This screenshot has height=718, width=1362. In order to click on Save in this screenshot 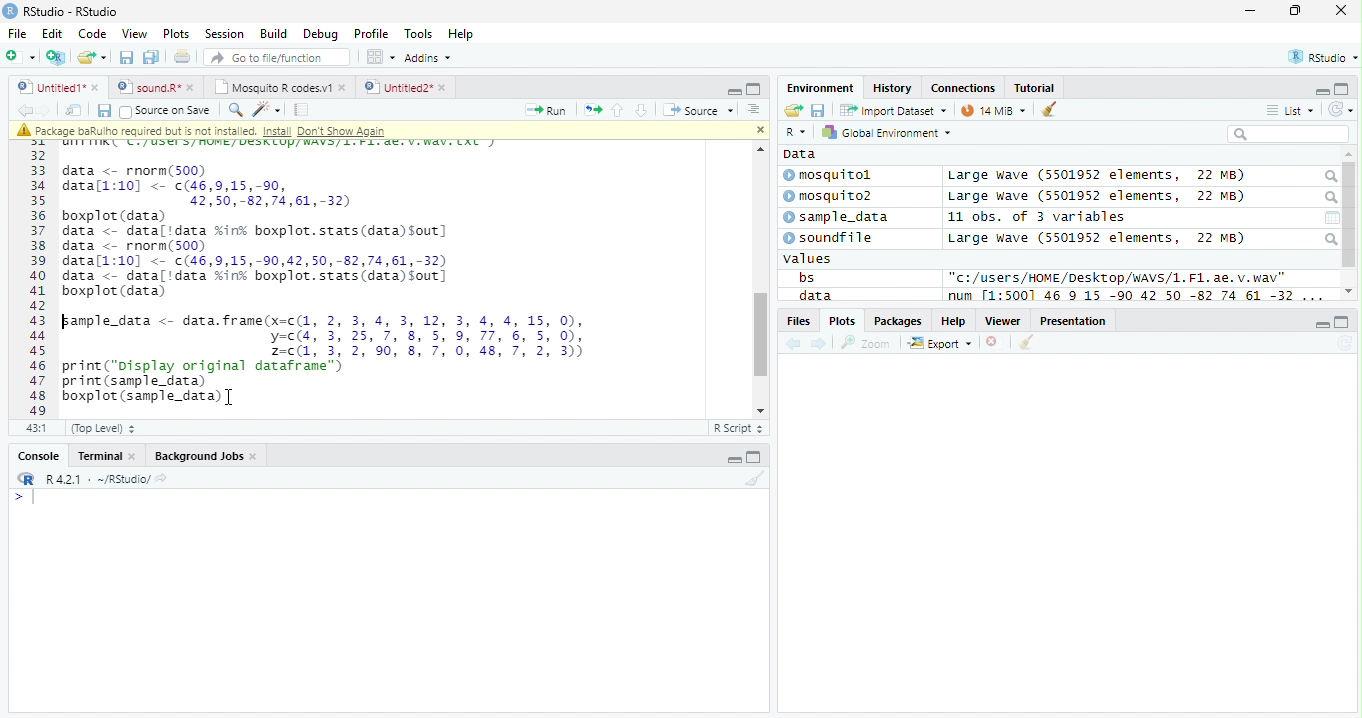, I will do `click(818, 110)`.